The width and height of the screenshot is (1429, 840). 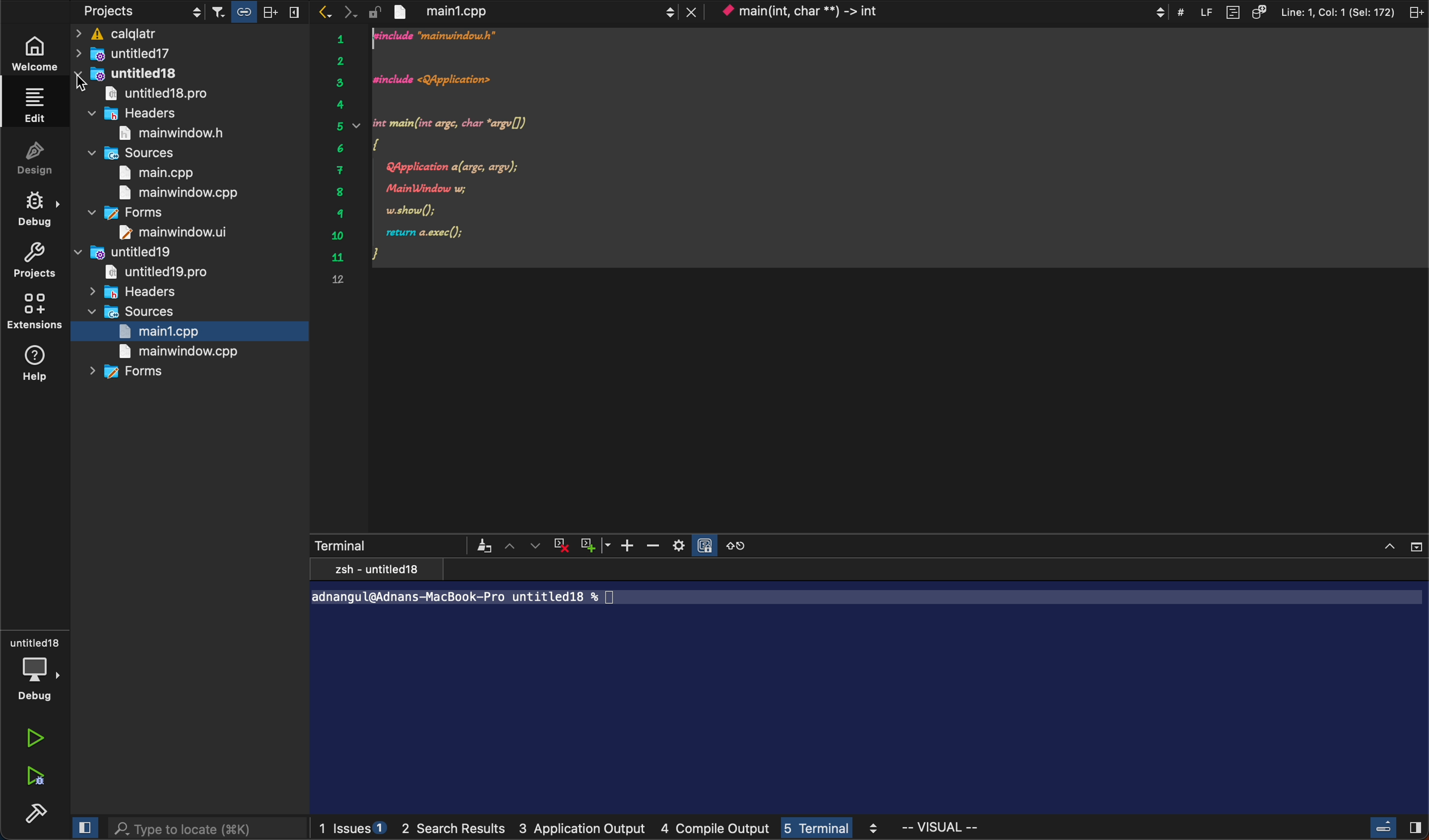 What do you see at coordinates (36, 812) in the screenshot?
I see `build` at bounding box center [36, 812].